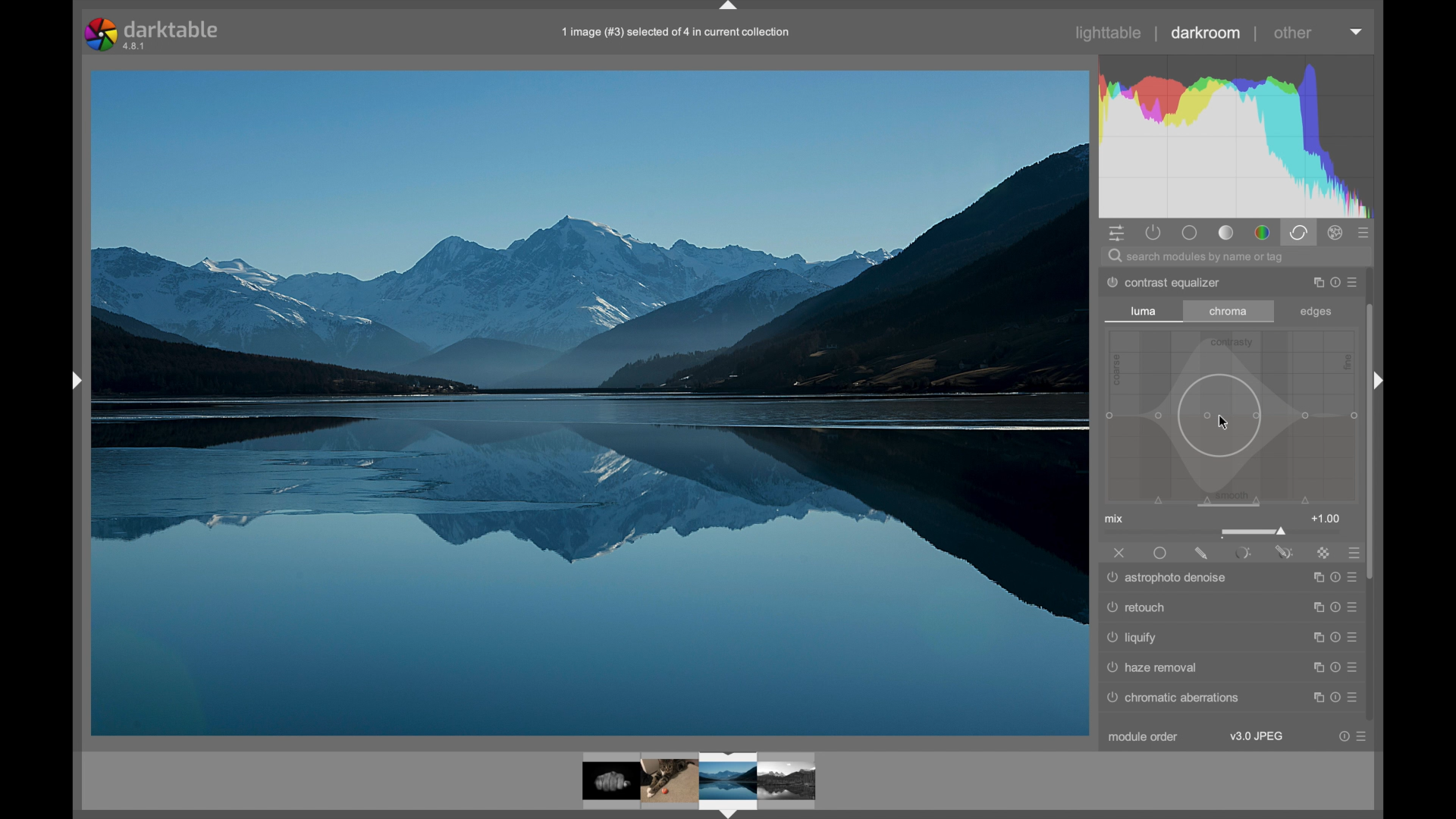 This screenshot has width=1456, height=819. I want to click on chroma, so click(1228, 312).